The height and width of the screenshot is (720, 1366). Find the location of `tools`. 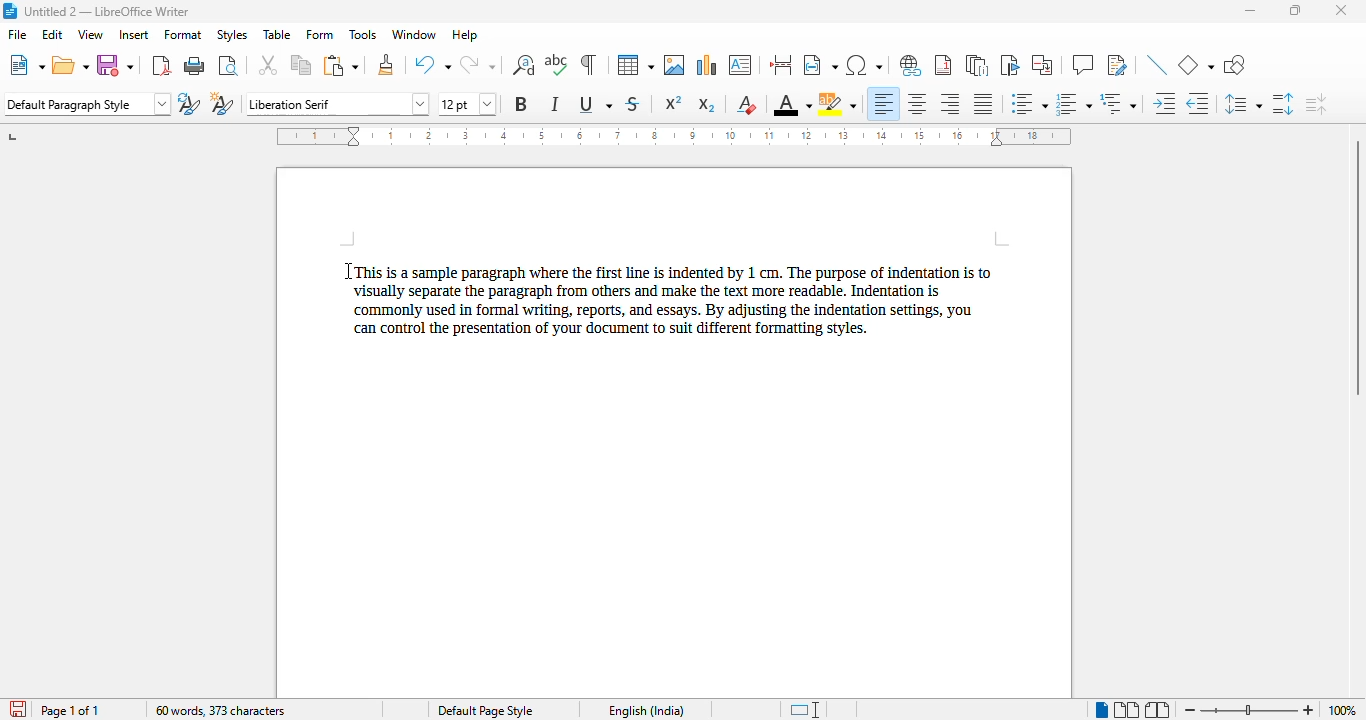

tools is located at coordinates (362, 34).